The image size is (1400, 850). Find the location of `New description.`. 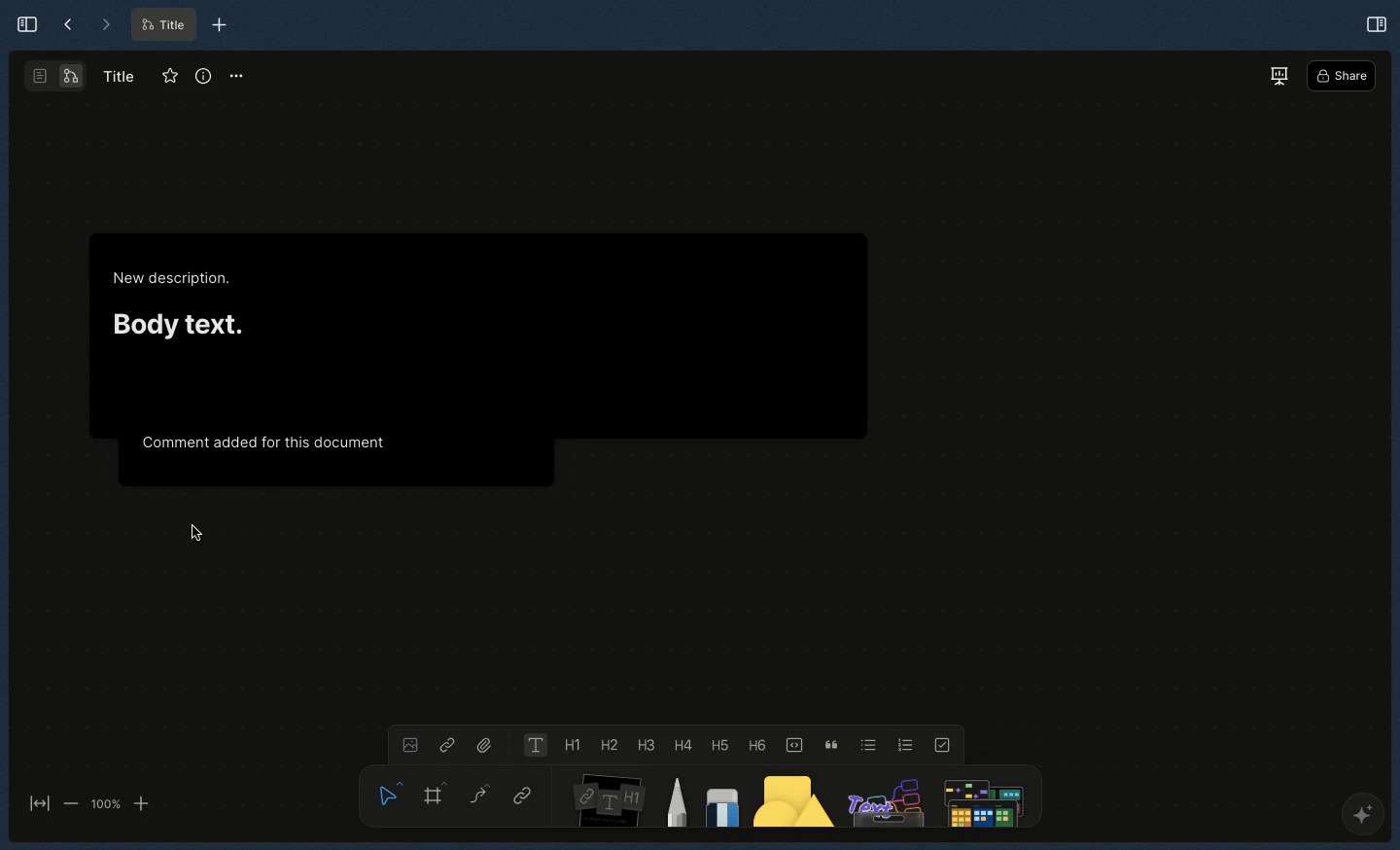

New description. is located at coordinates (174, 279).